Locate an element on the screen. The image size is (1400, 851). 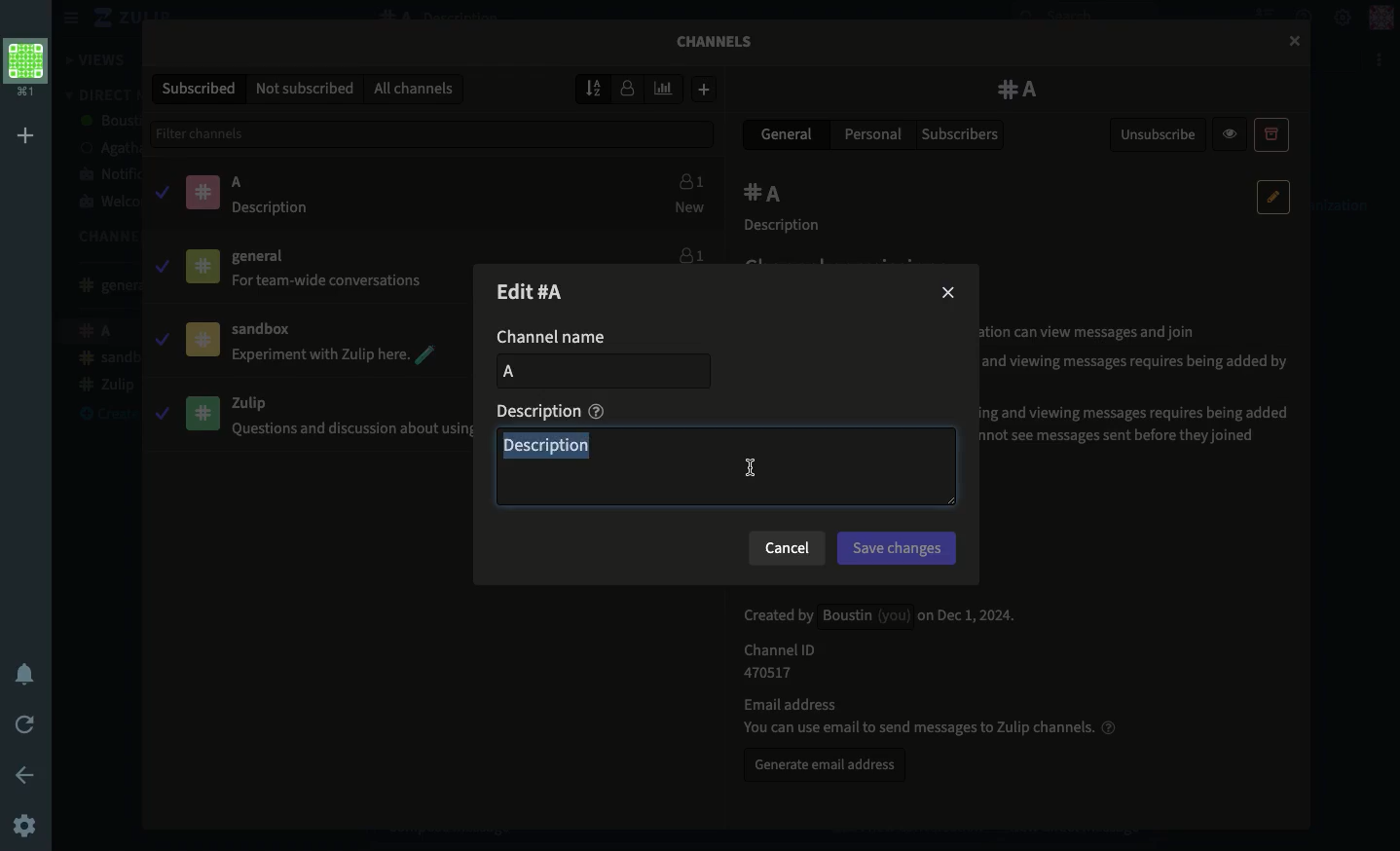
Description is located at coordinates (535, 412).